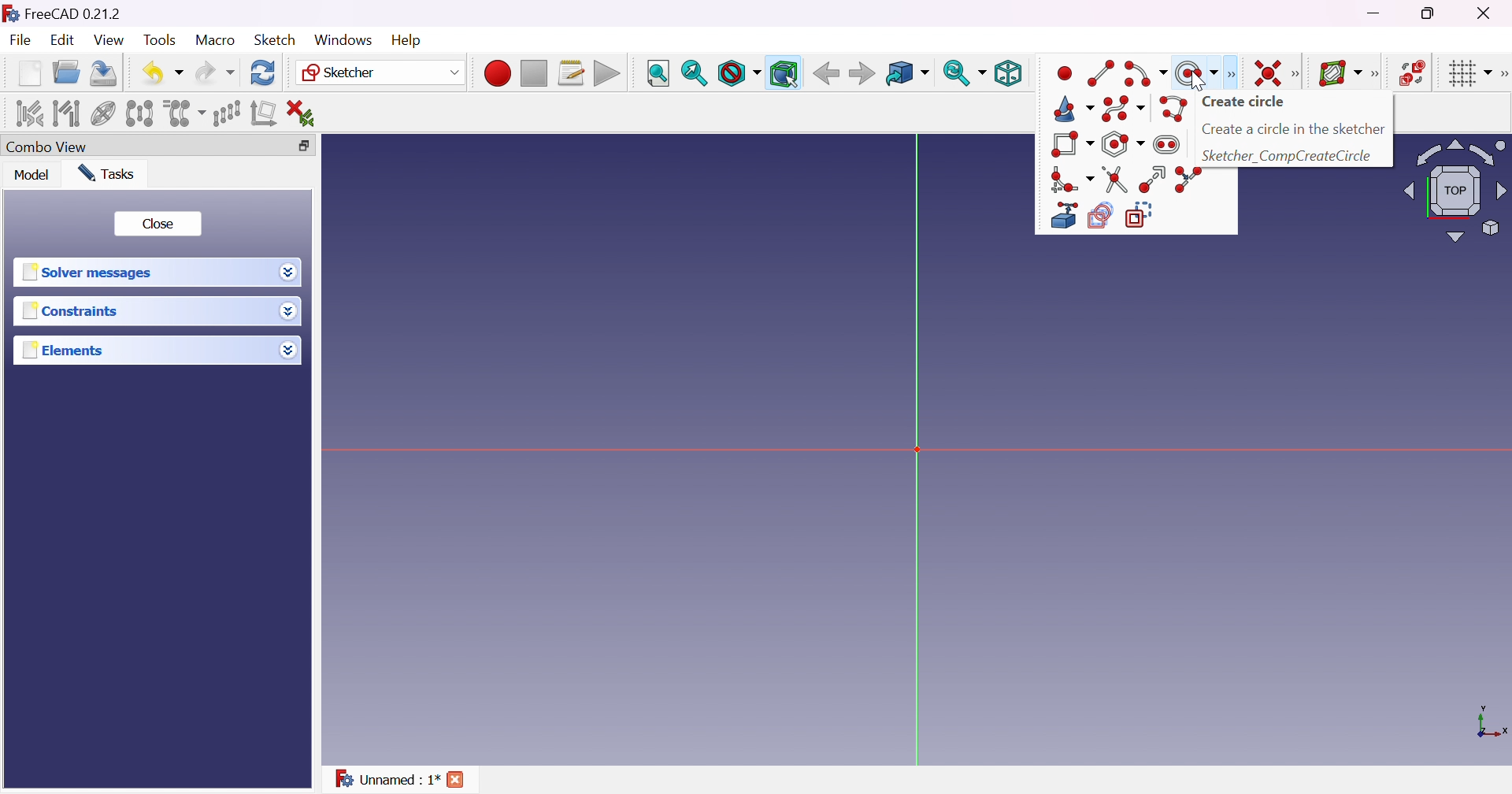 This screenshot has height=794, width=1512. What do you see at coordinates (66, 72) in the screenshot?
I see `Open` at bounding box center [66, 72].